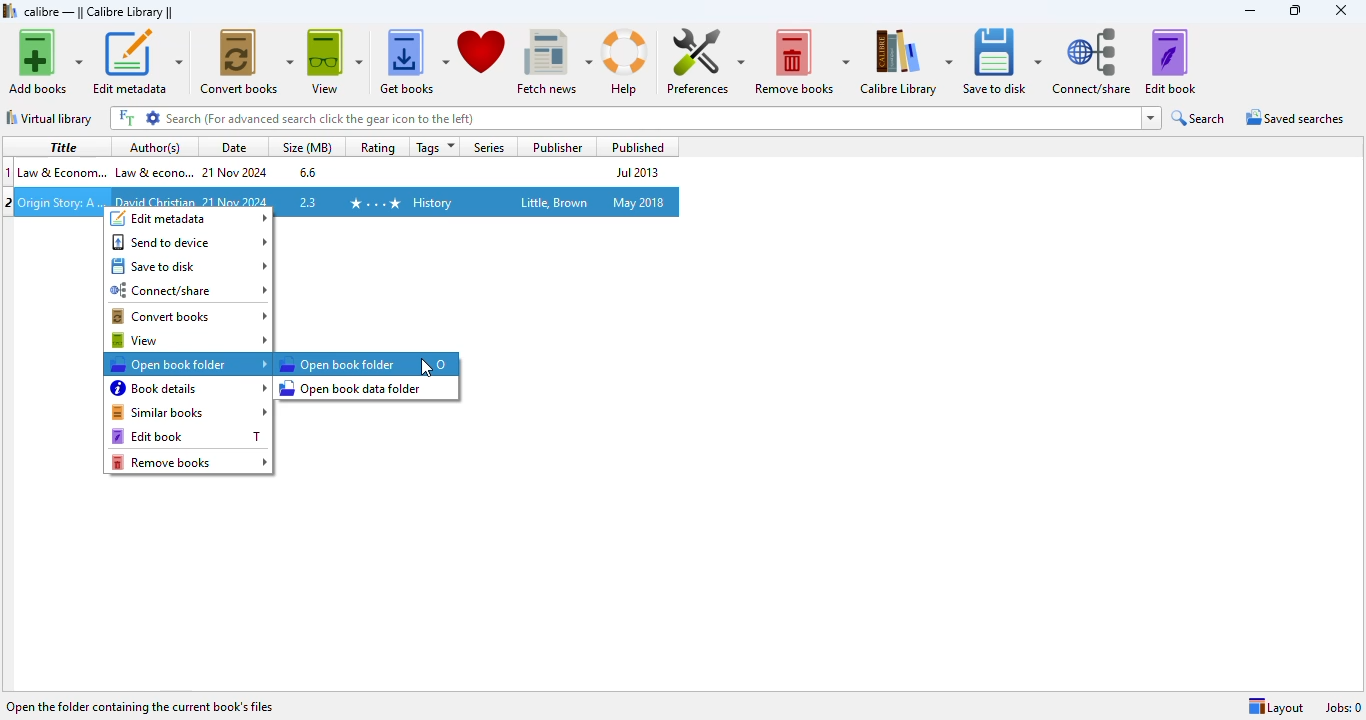  What do you see at coordinates (190, 388) in the screenshot?
I see `book details` at bounding box center [190, 388].